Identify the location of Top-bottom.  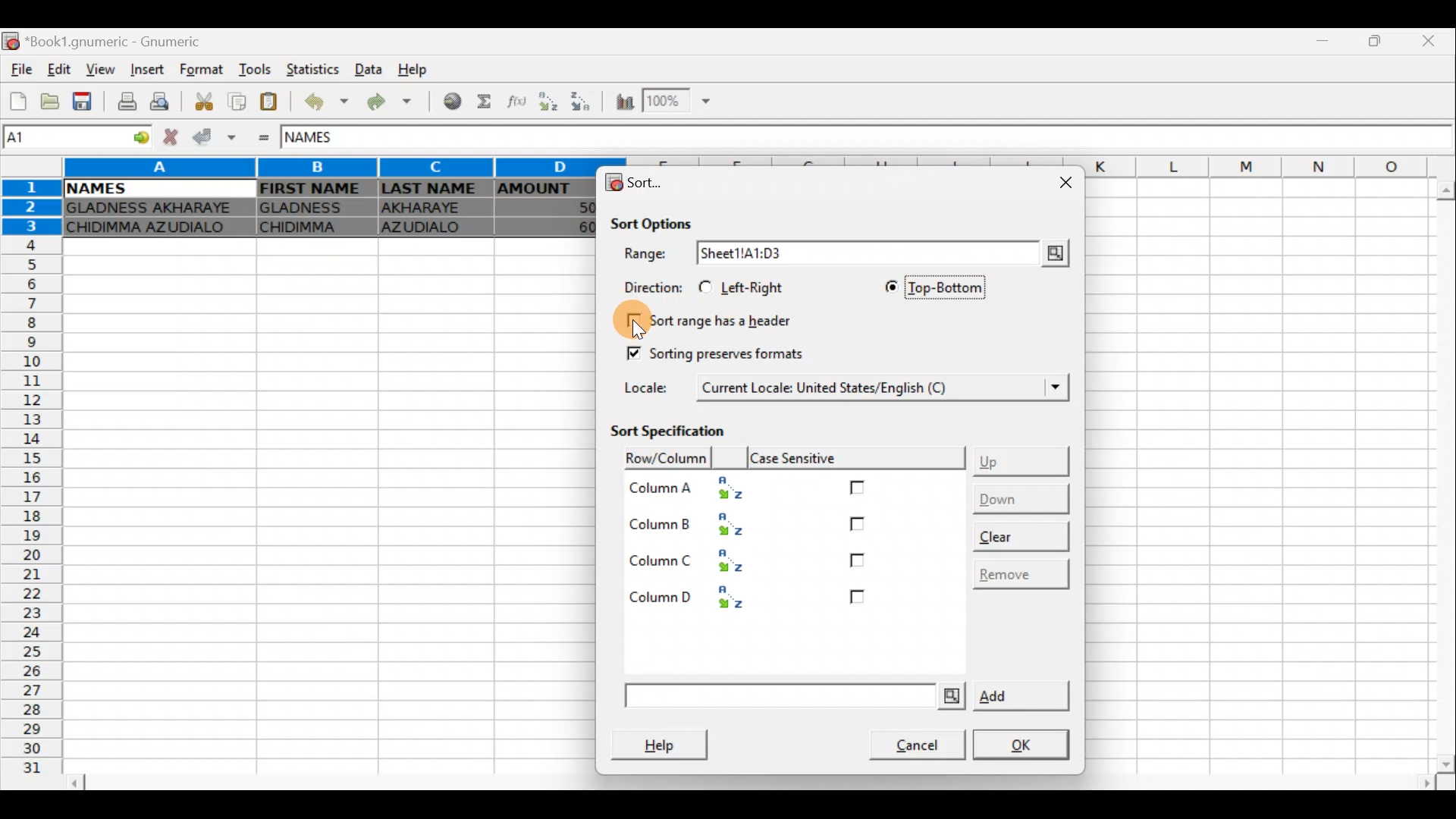
(929, 287).